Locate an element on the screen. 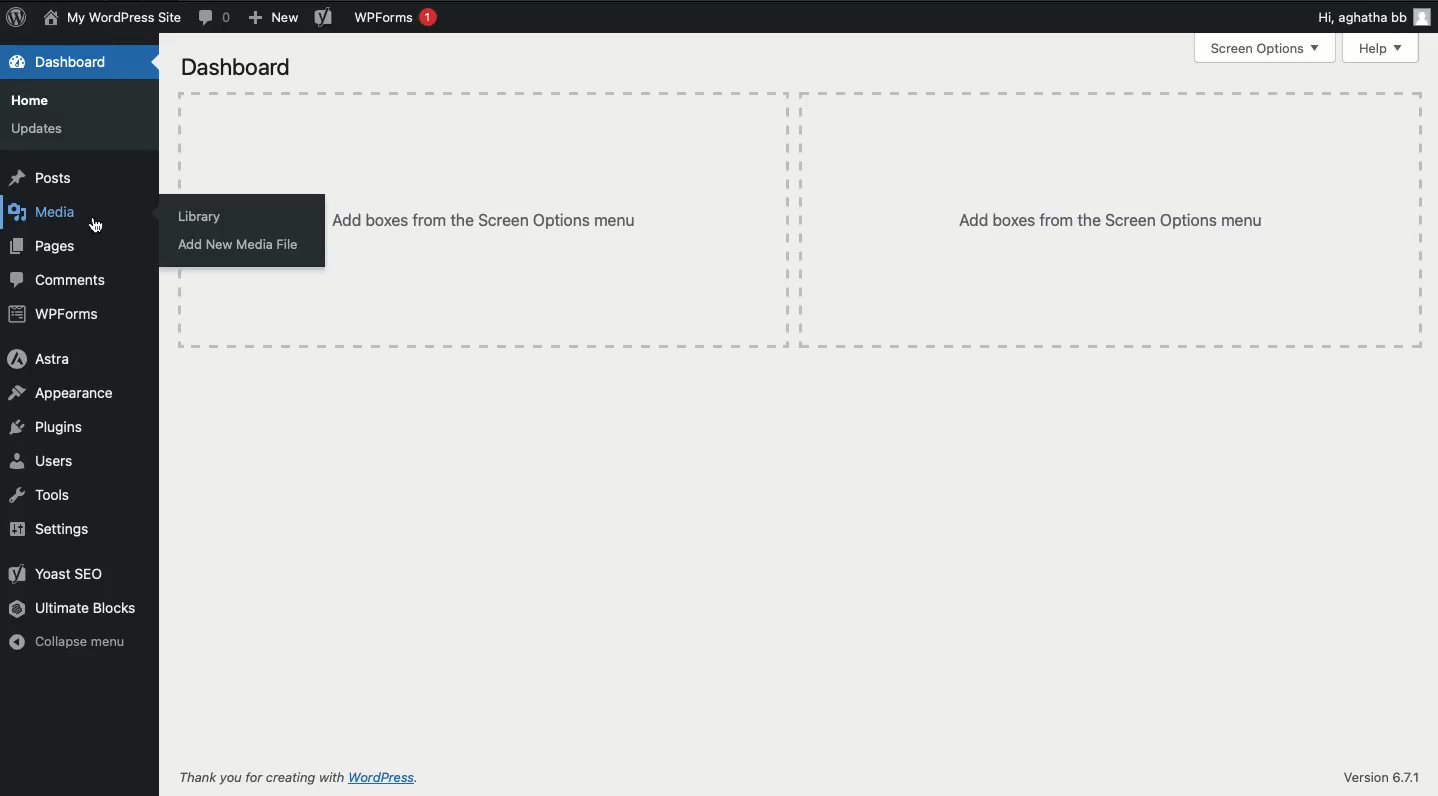 This screenshot has height=796, width=1438. Yoast SEO is located at coordinates (60, 572).